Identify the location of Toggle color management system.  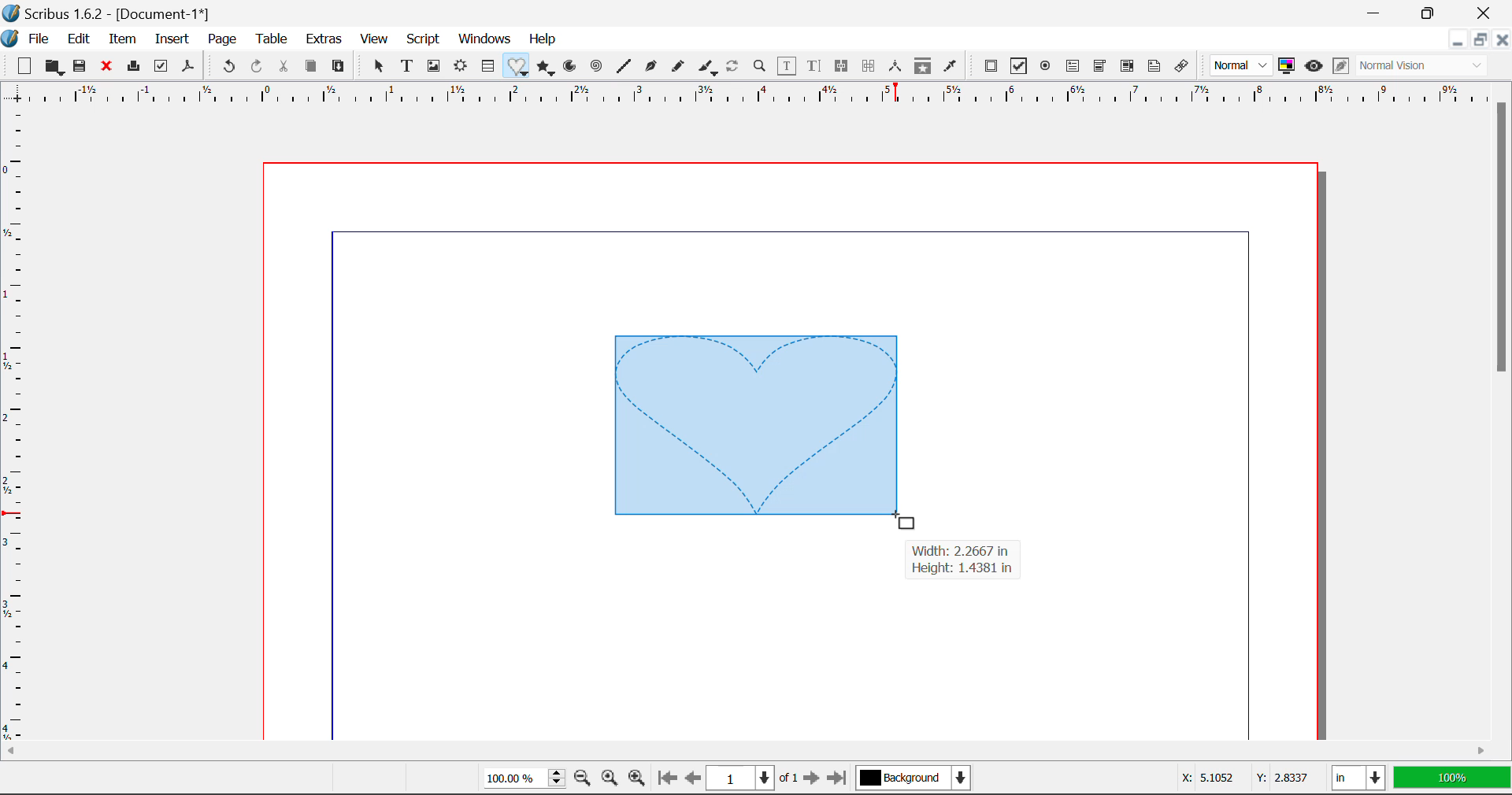
(1287, 67).